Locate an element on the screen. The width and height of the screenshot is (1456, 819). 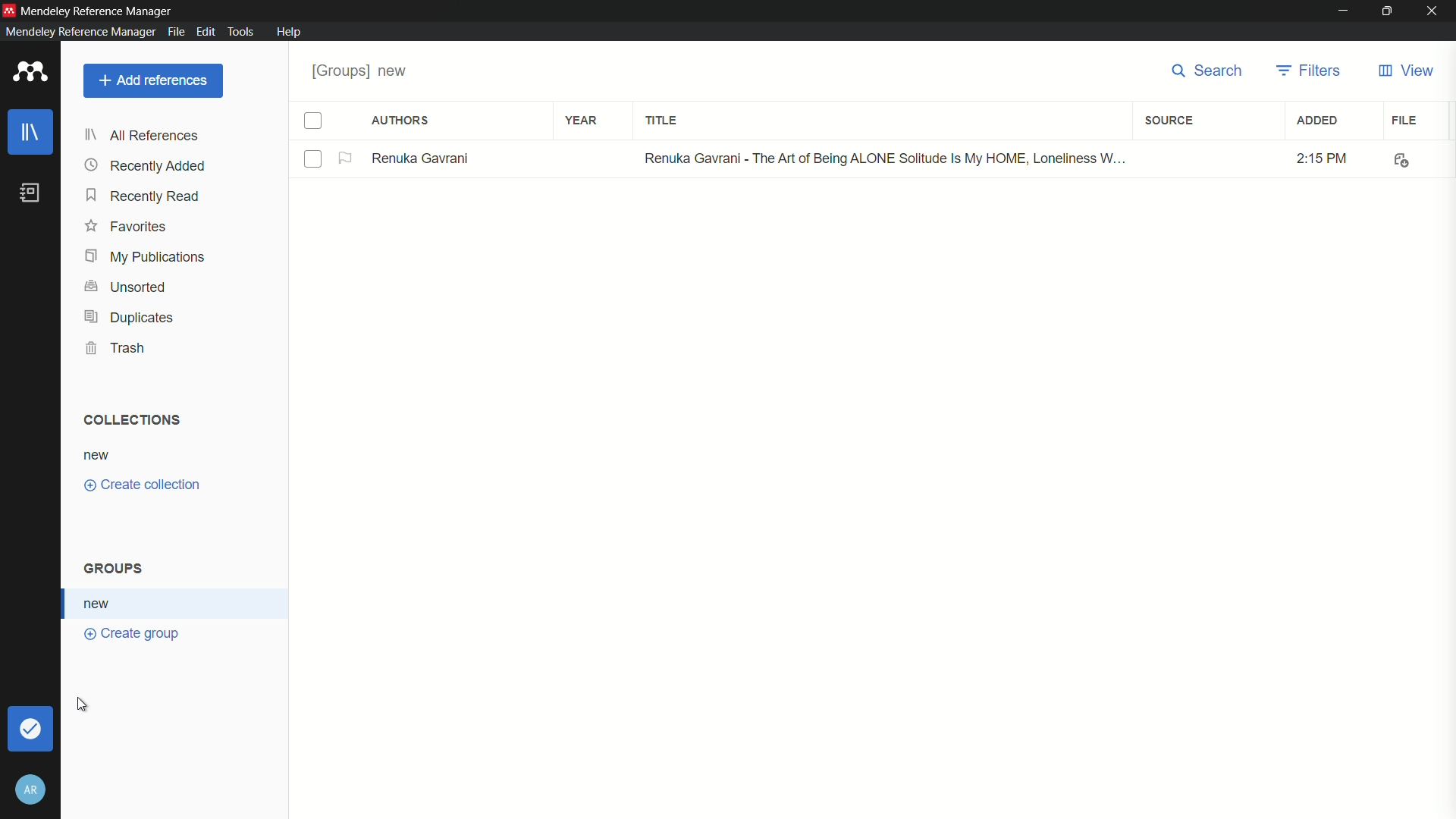
app icon is located at coordinates (31, 73).